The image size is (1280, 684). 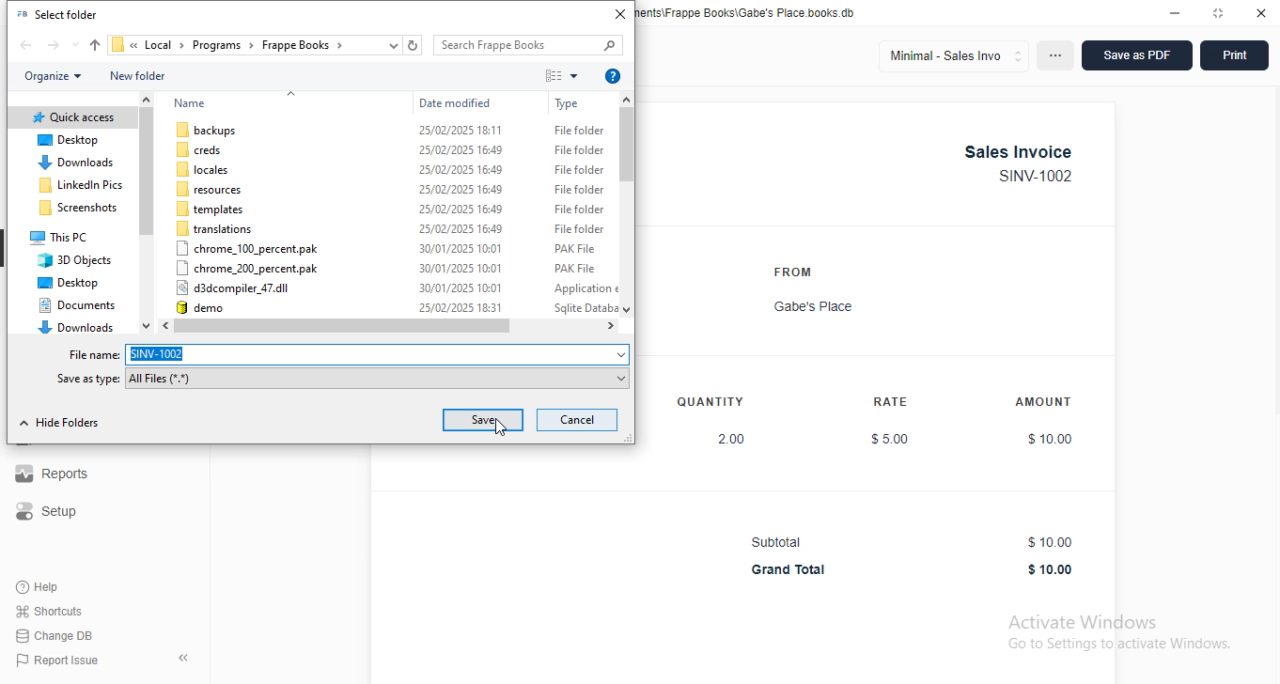 What do you see at coordinates (203, 307) in the screenshot?
I see `demo` at bounding box center [203, 307].